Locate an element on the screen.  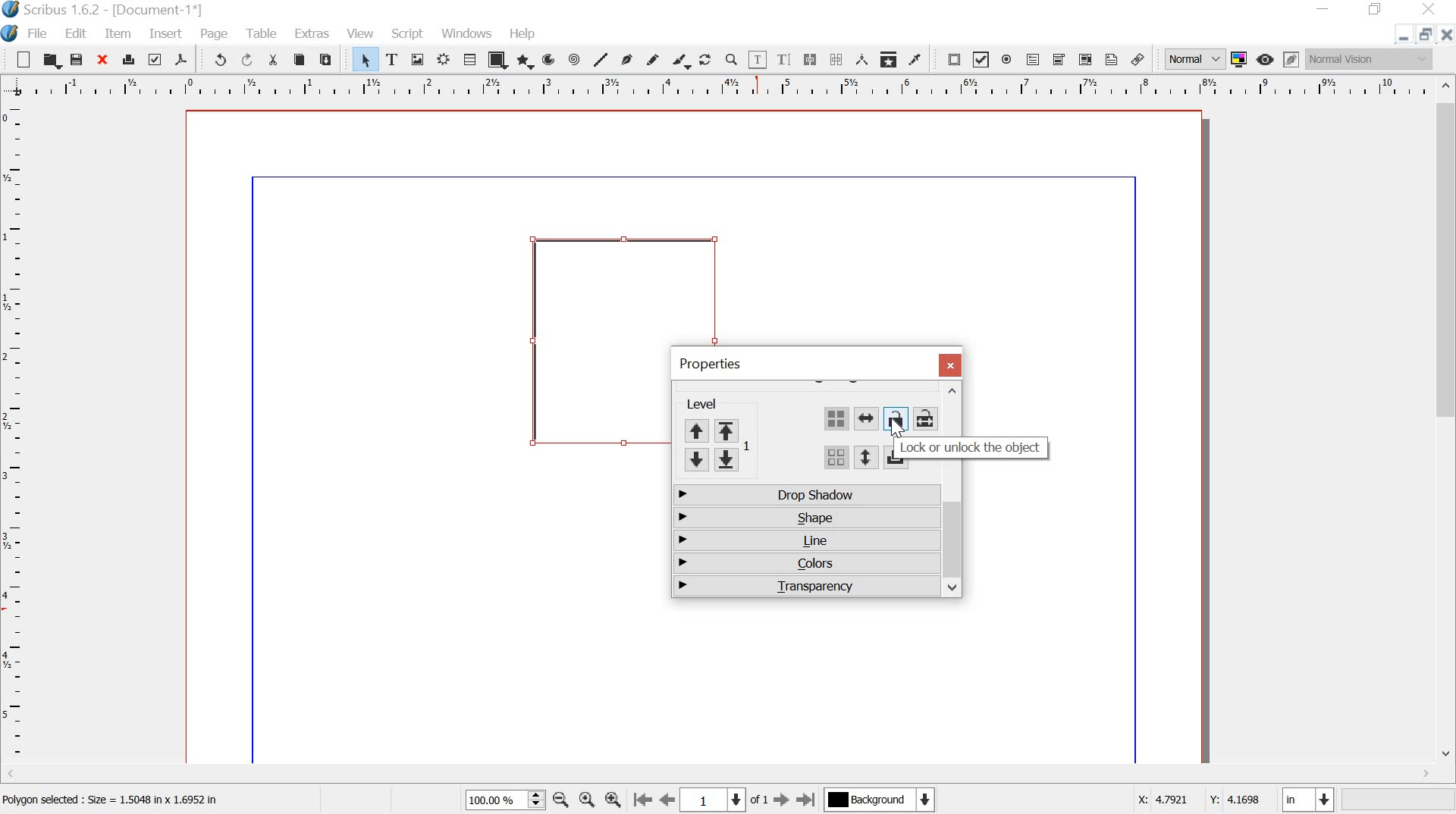
undo is located at coordinates (215, 58).